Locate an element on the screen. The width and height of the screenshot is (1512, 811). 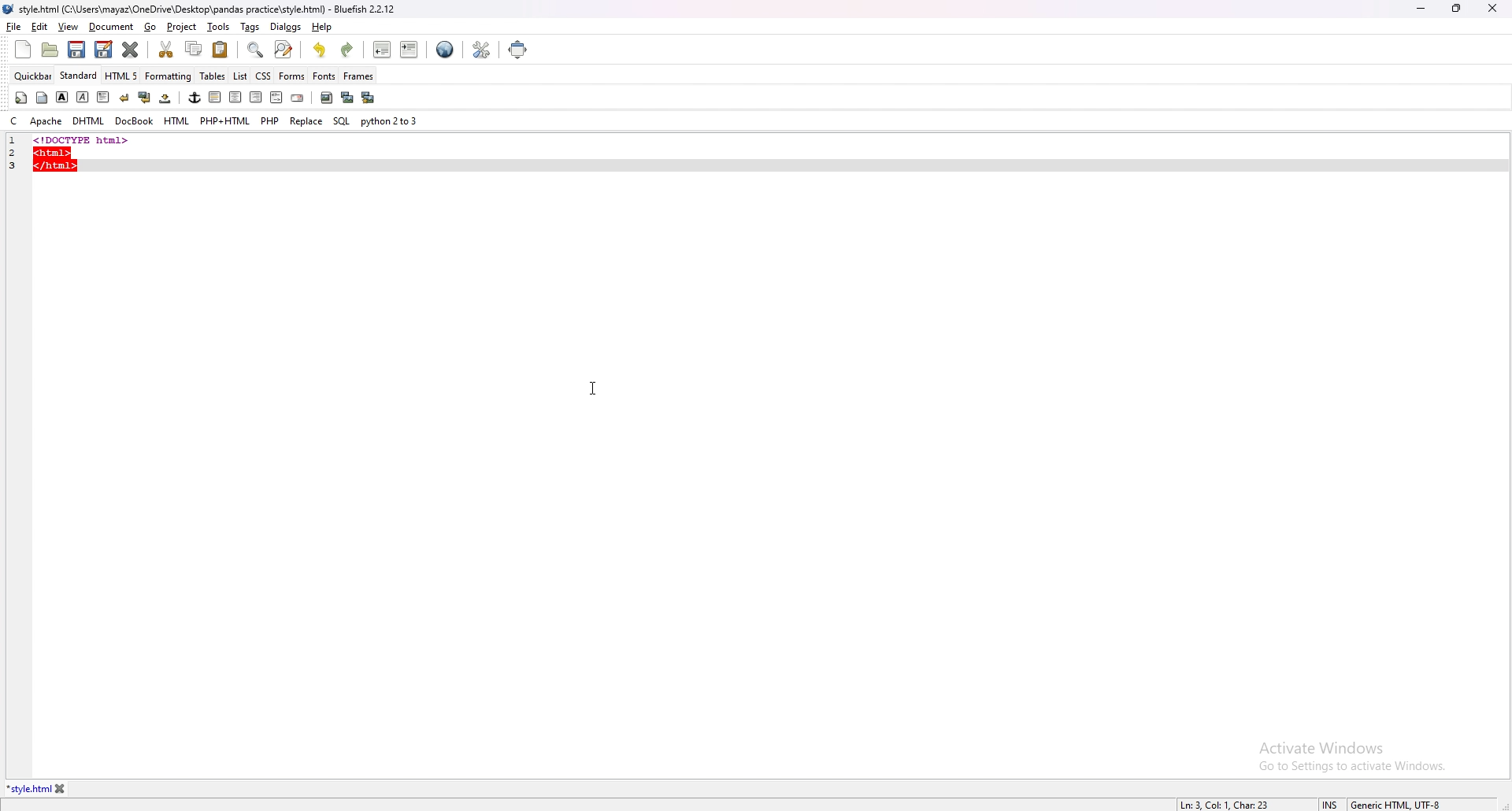
paste is located at coordinates (220, 49).